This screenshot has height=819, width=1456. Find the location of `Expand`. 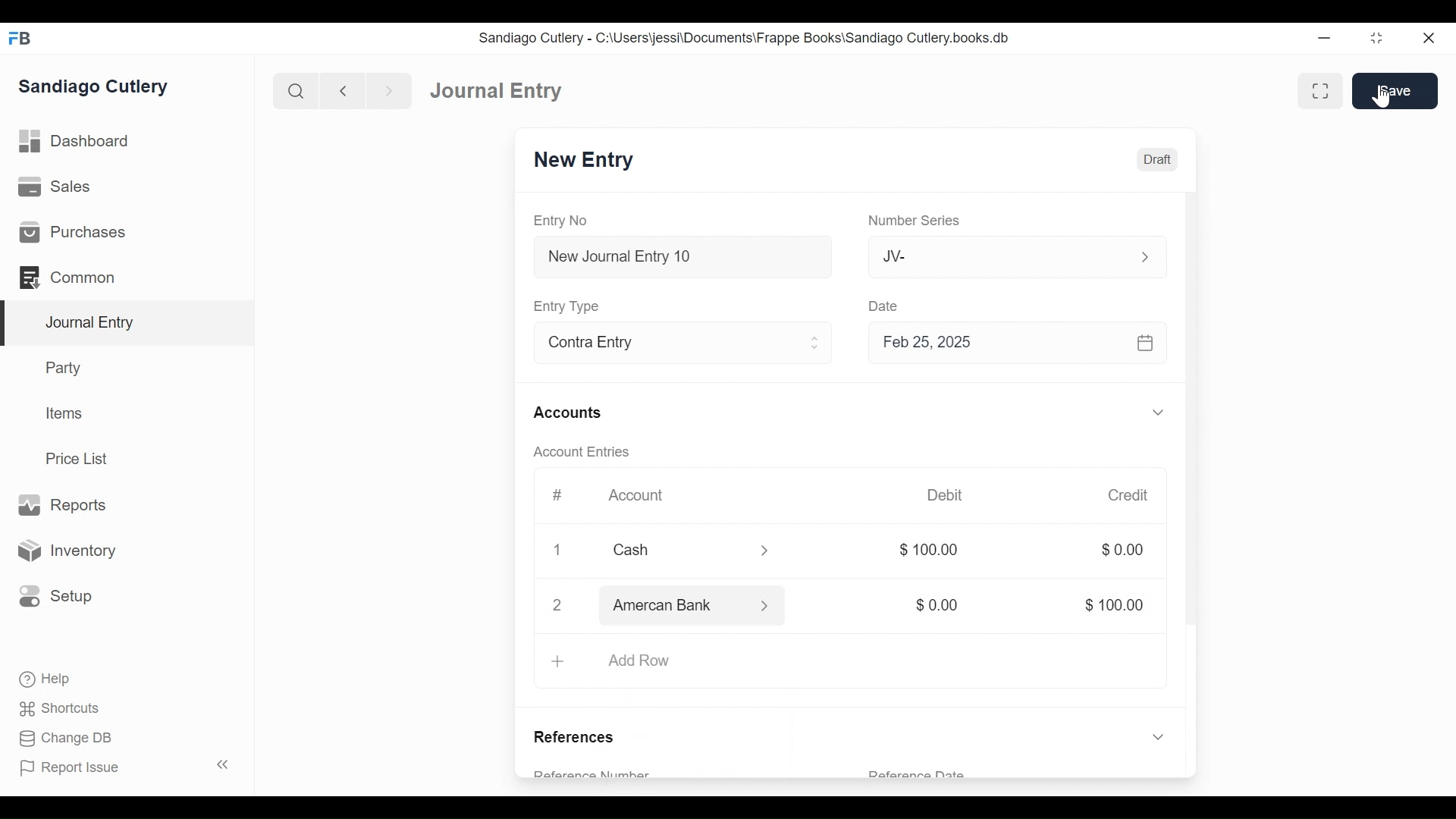

Expand is located at coordinates (1144, 256).